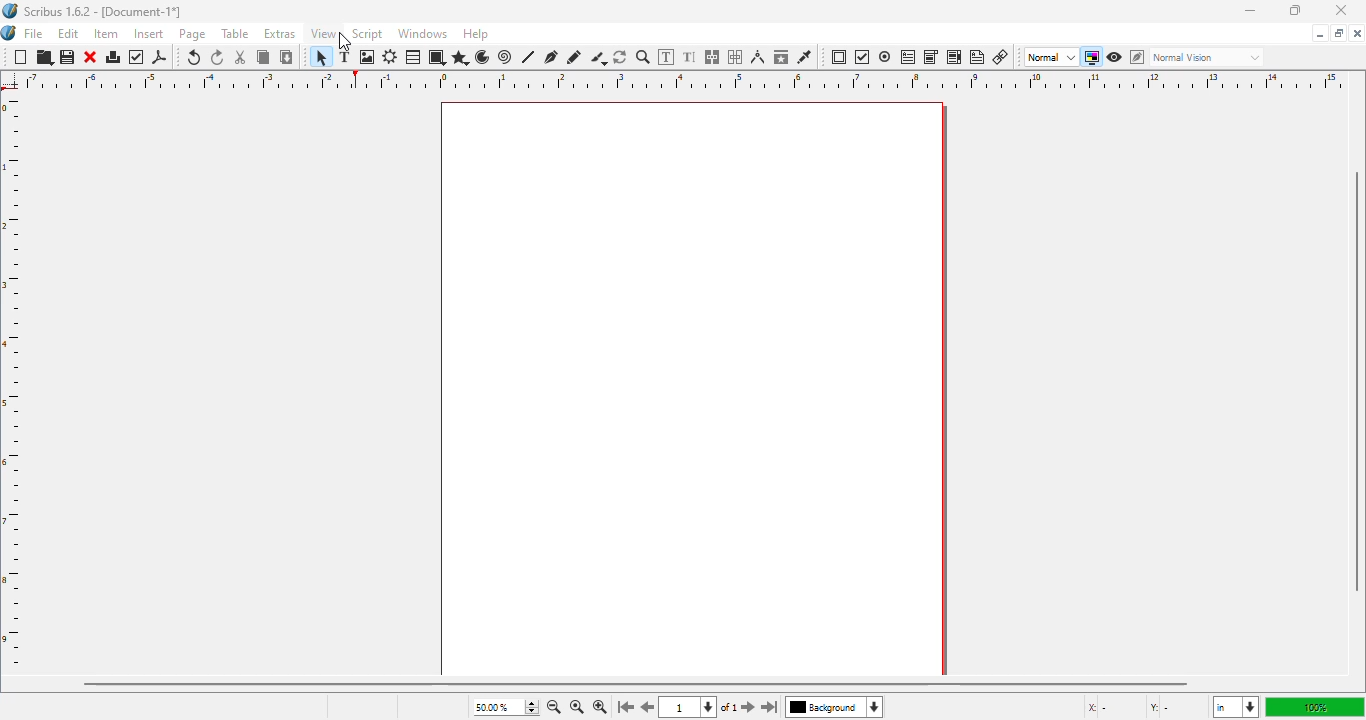  I want to click on undo, so click(194, 57).